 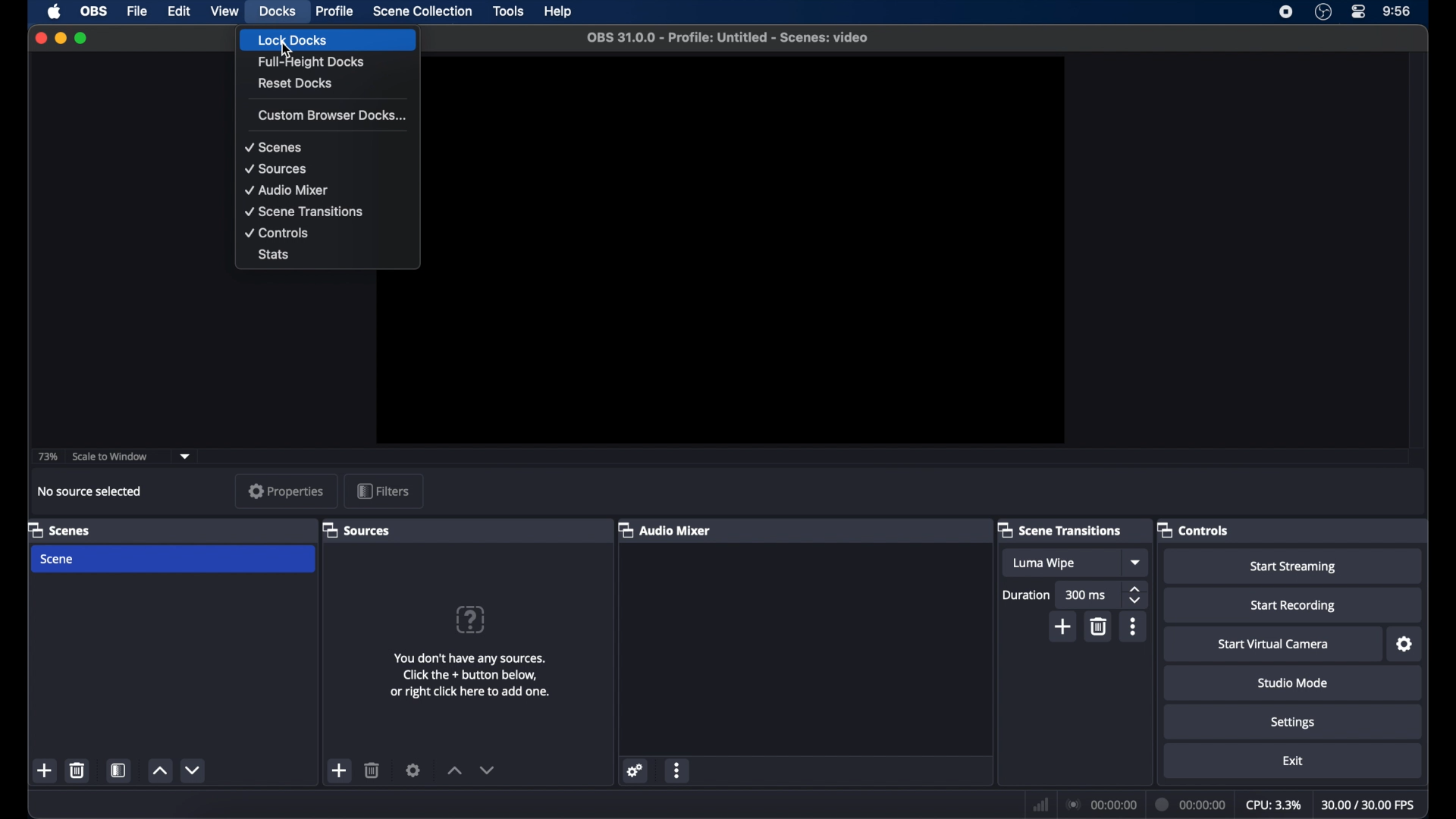 What do you see at coordinates (677, 770) in the screenshot?
I see `more options` at bounding box center [677, 770].